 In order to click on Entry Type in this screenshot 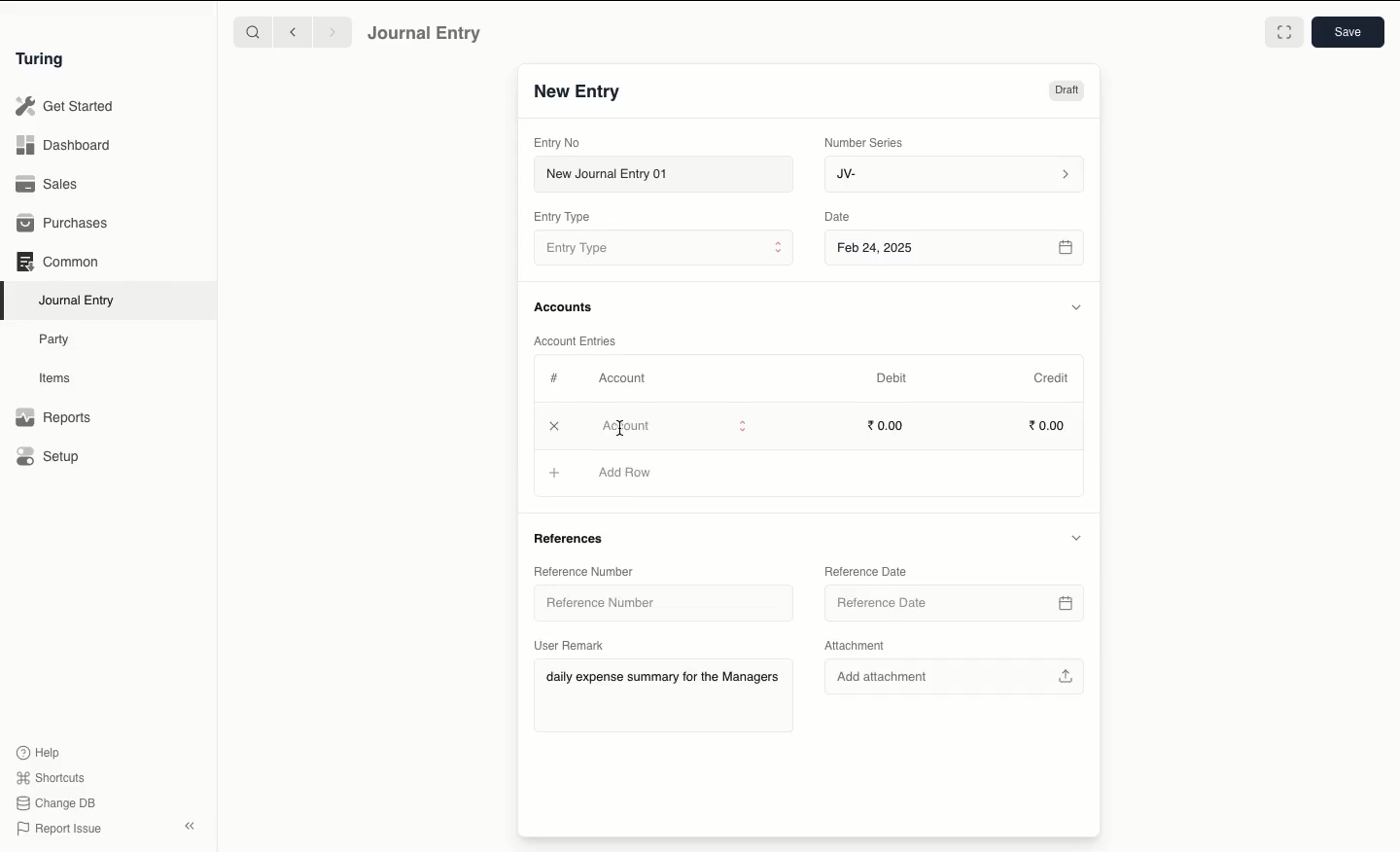, I will do `click(562, 217)`.